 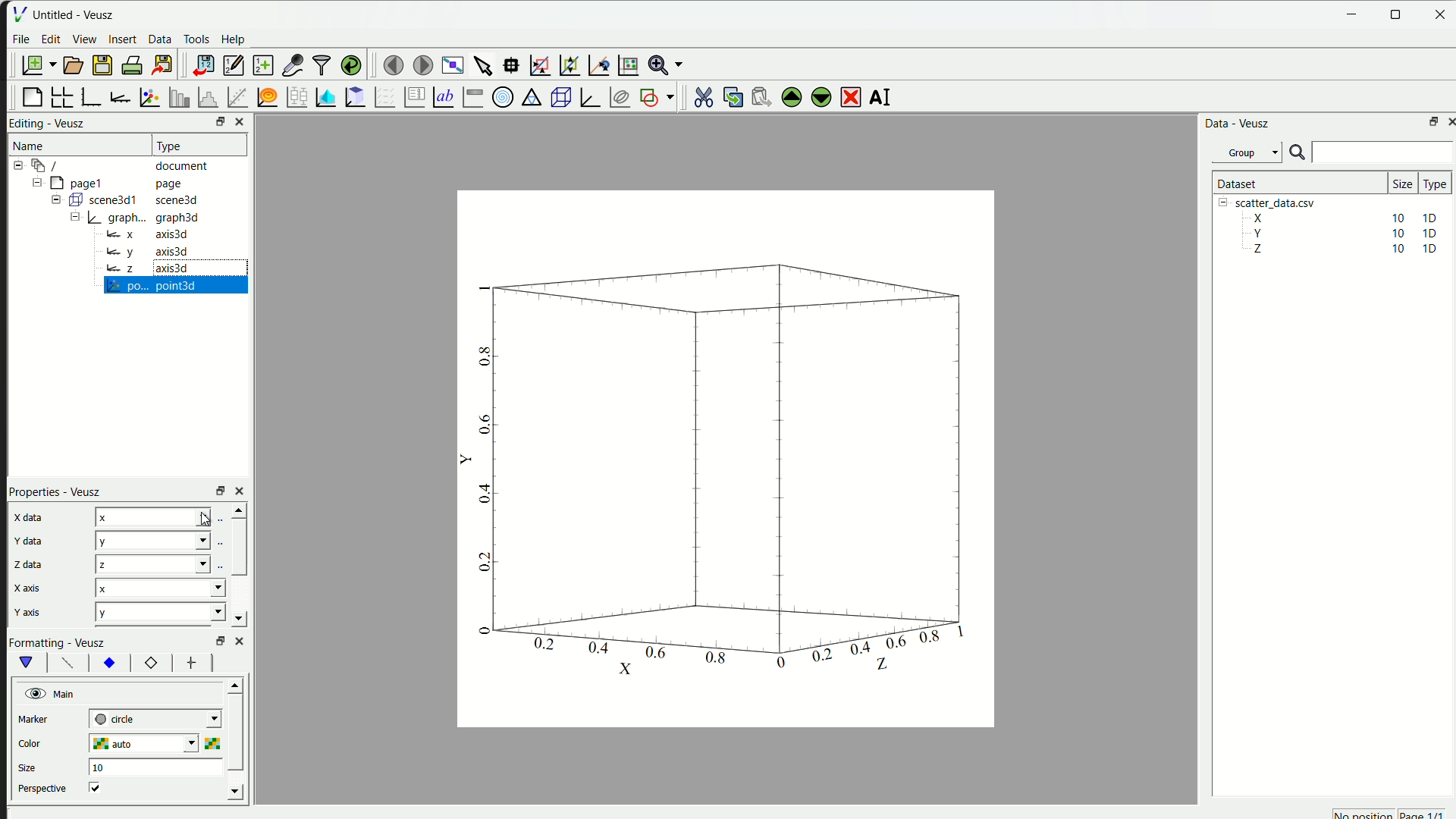 What do you see at coordinates (128, 199) in the screenshot?
I see `= ( scene3d1  scene3d` at bounding box center [128, 199].